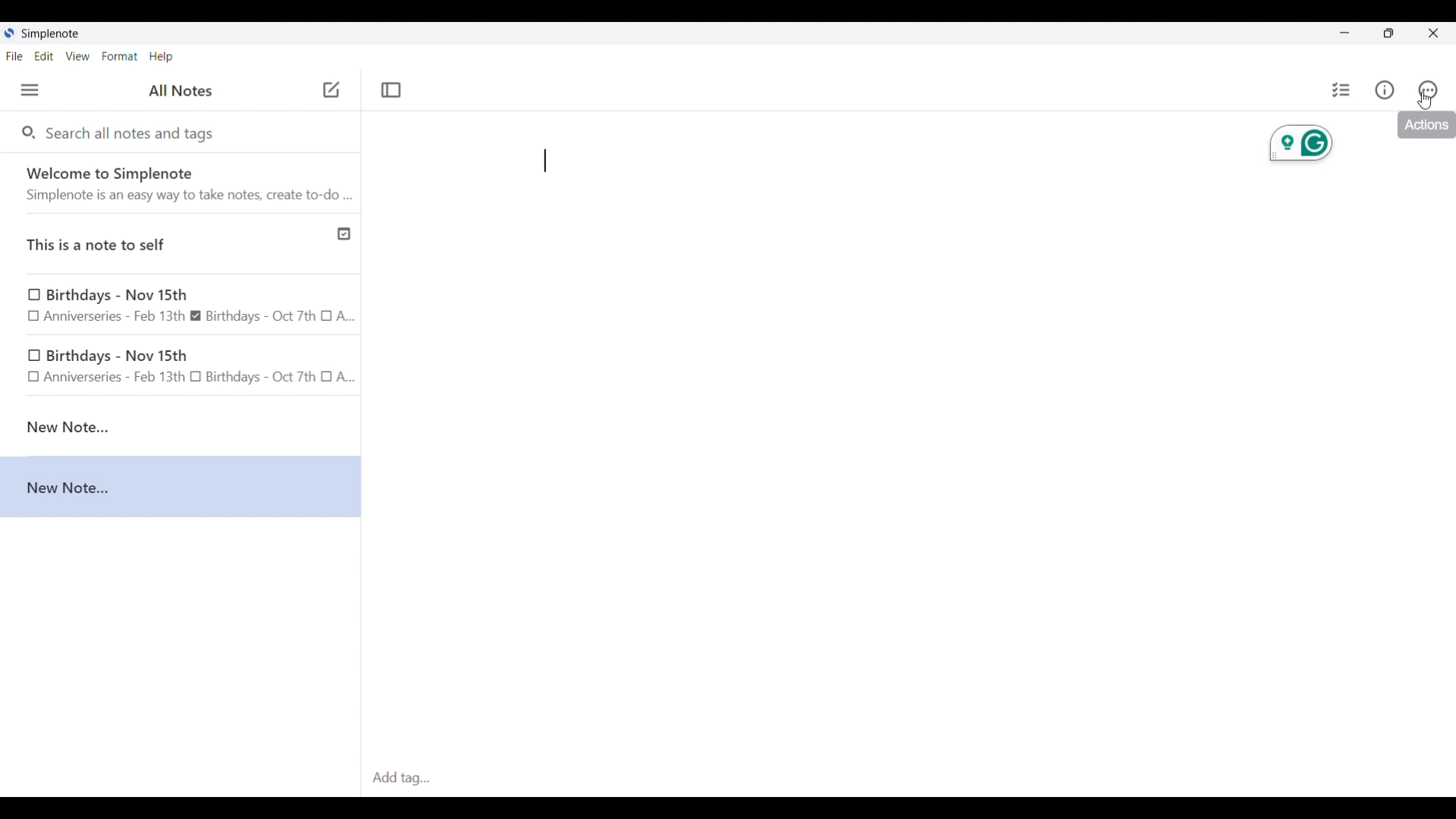 This screenshot has height=819, width=1456. What do you see at coordinates (1345, 33) in the screenshot?
I see `Minimize` at bounding box center [1345, 33].